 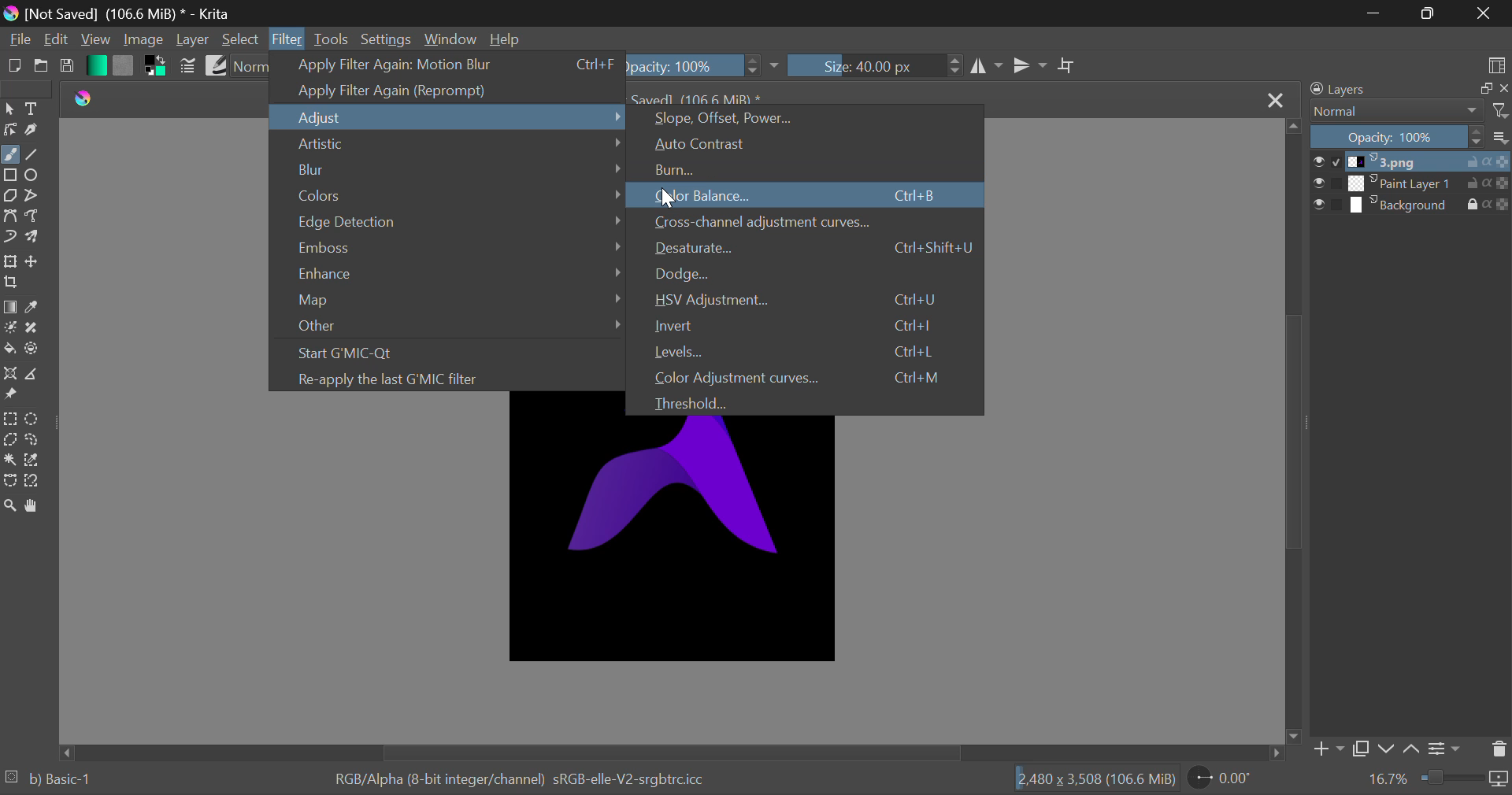 What do you see at coordinates (36, 308) in the screenshot?
I see `Eyedropper` at bounding box center [36, 308].